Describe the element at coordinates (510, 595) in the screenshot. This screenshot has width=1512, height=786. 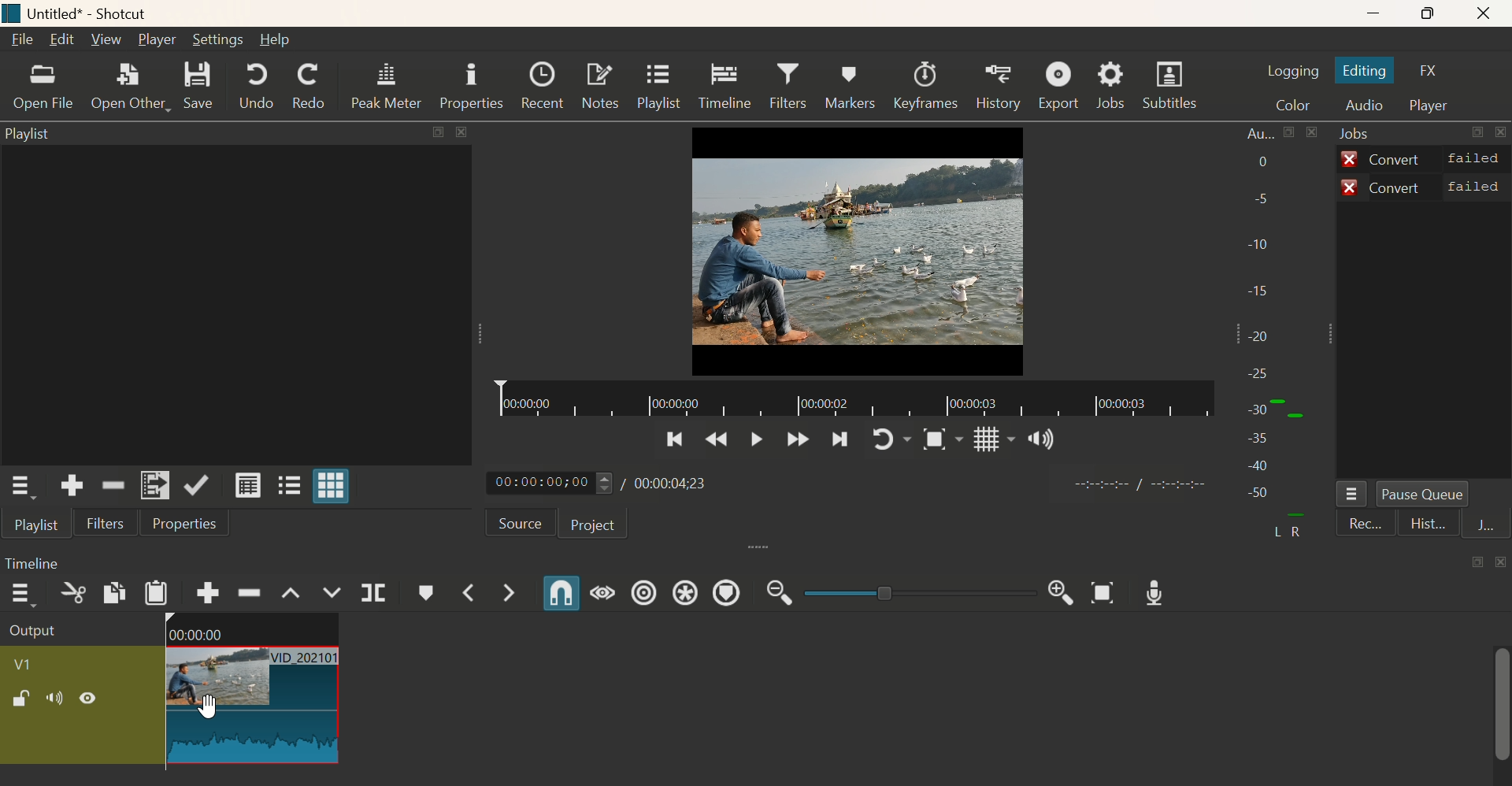
I see `` at that location.